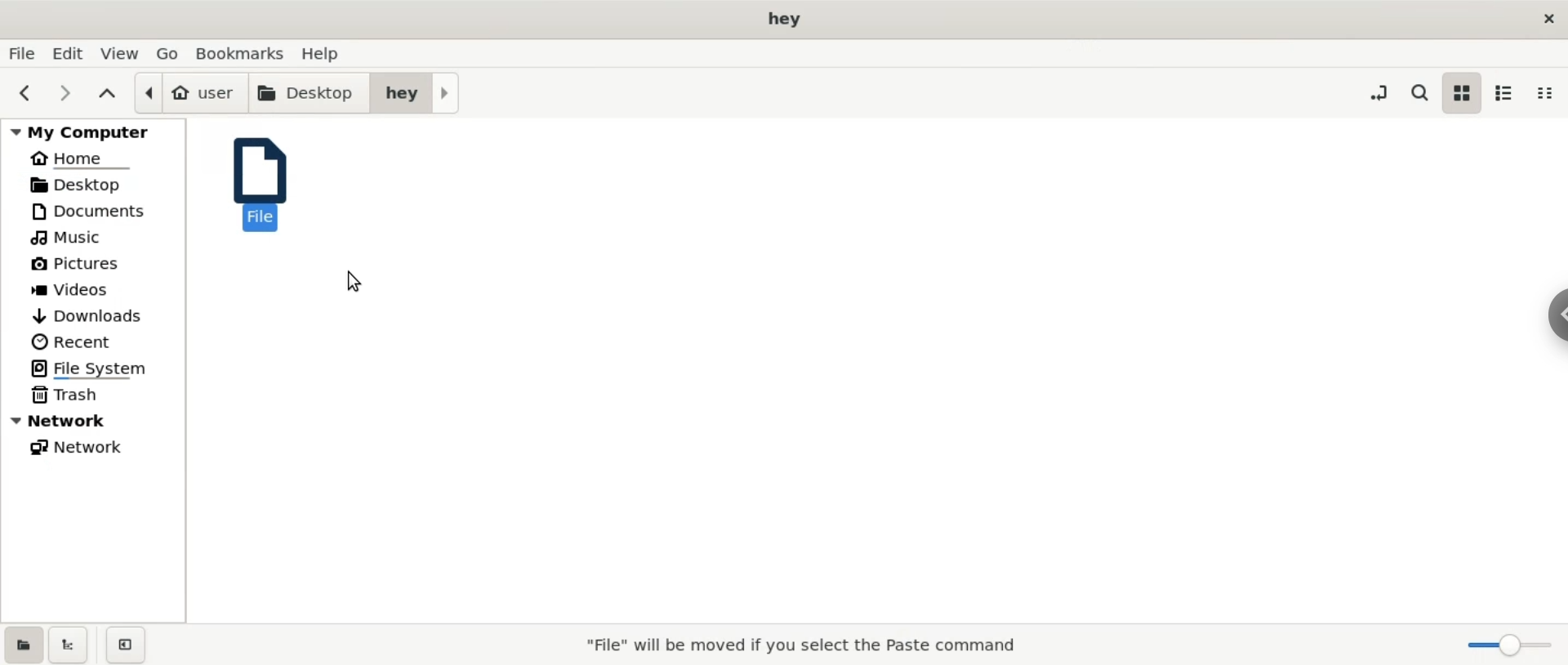  I want to click on close, so click(1548, 16).